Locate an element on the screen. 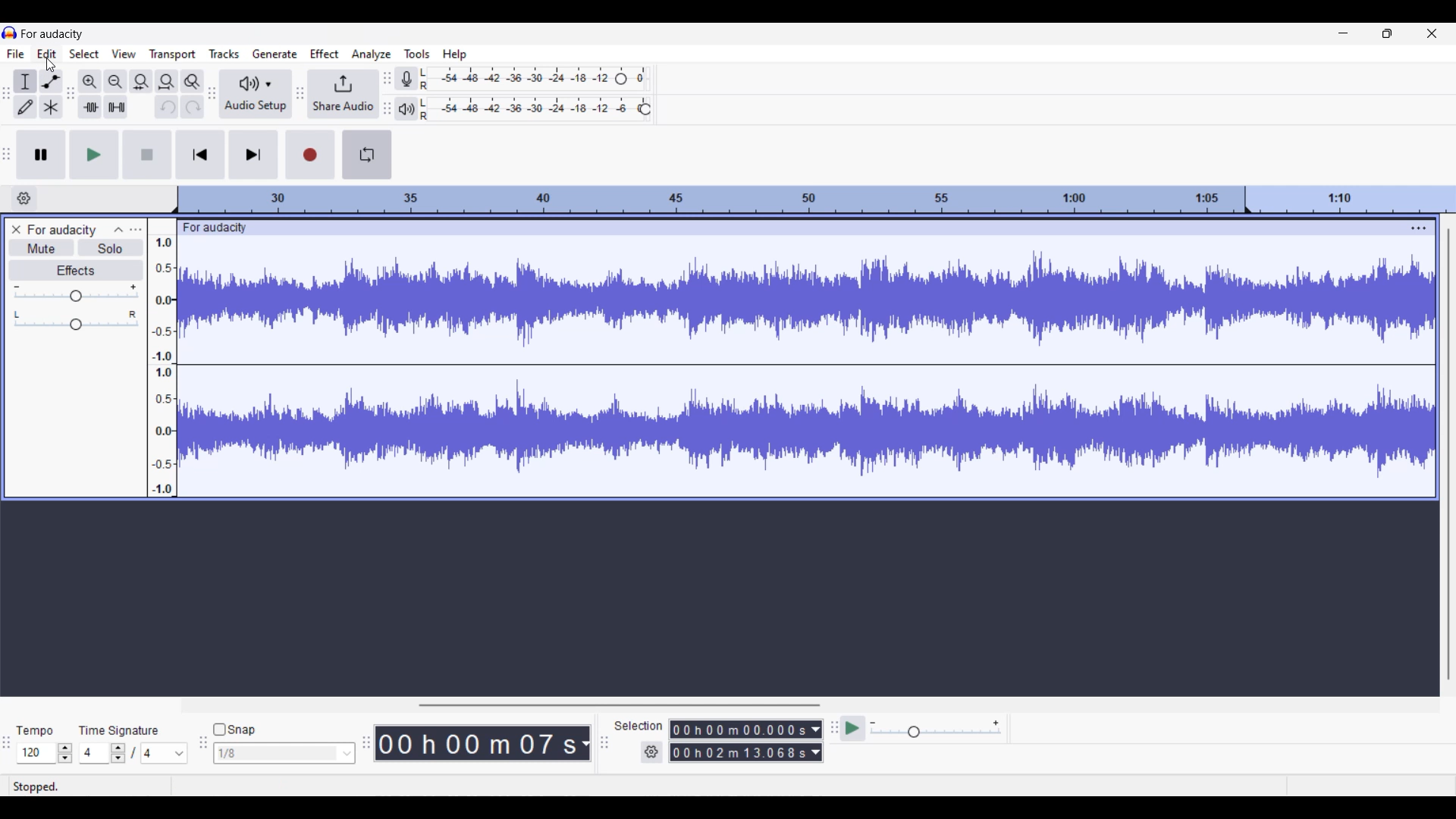  Vertical slide bar is located at coordinates (1449, 454).